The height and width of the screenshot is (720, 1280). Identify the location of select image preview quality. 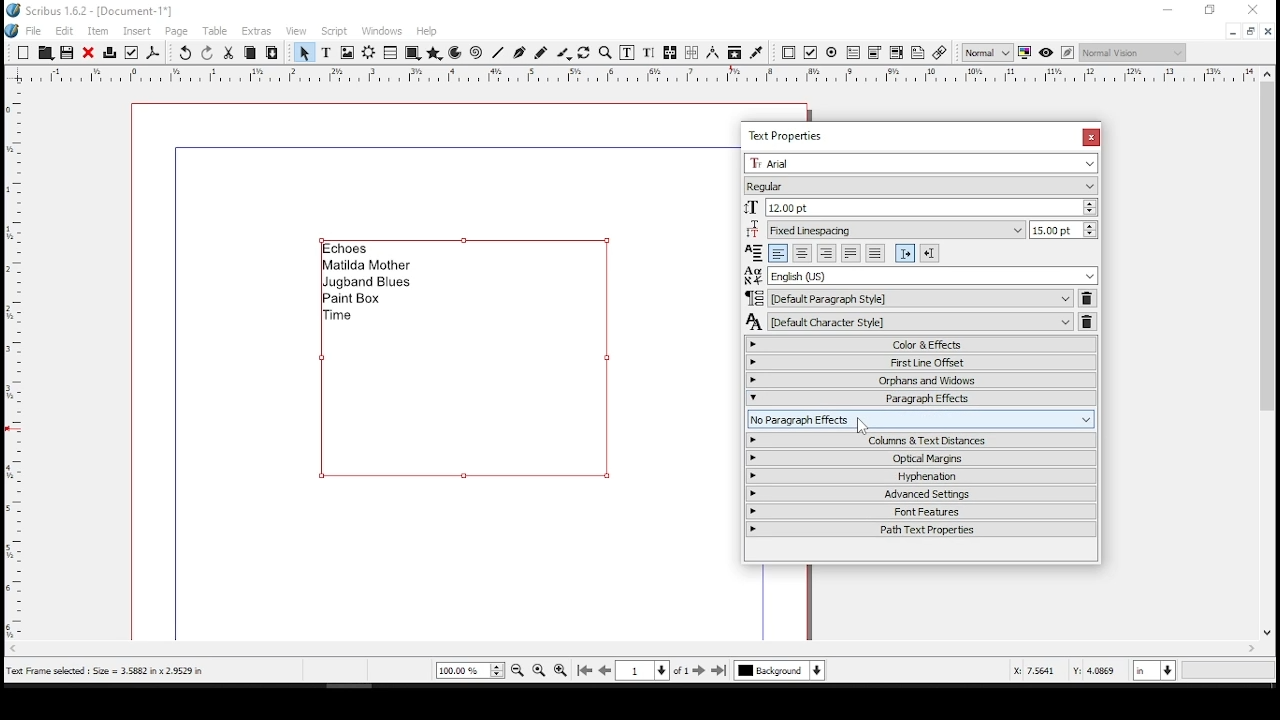
(987, 52).